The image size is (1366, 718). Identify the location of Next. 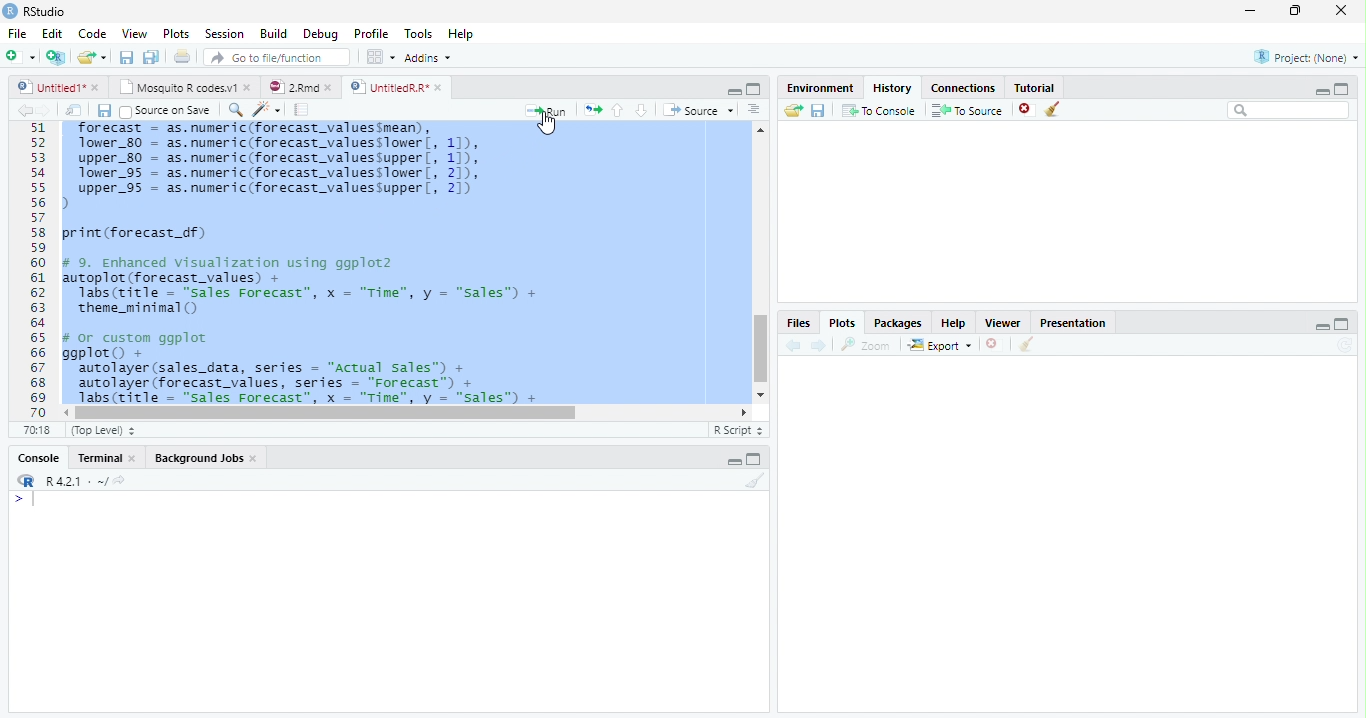
(45, 110).